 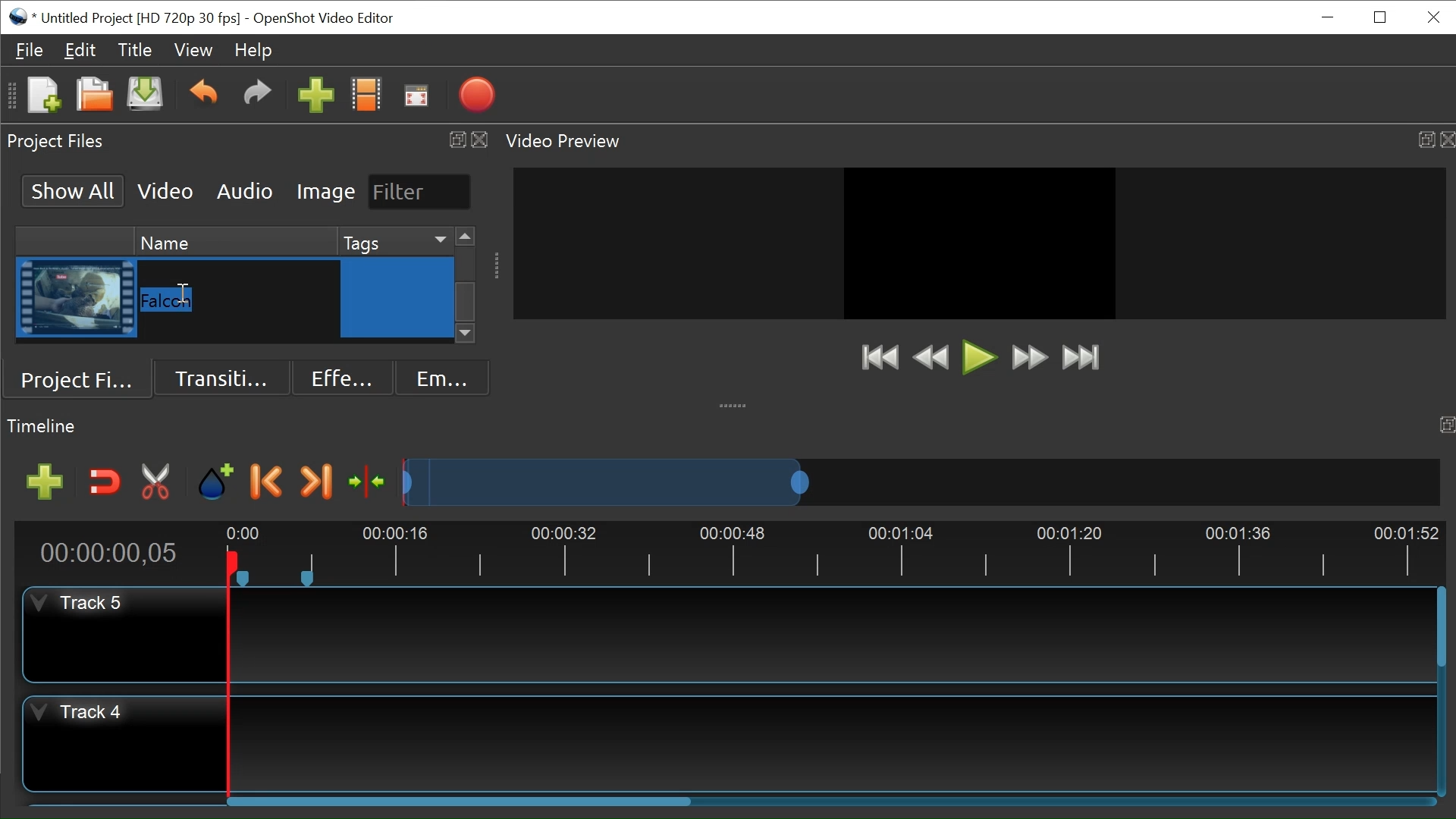 What do you see at coordinates (70, 190) in the screenshot?
I see `Show All` at bounding box center [70, 190].